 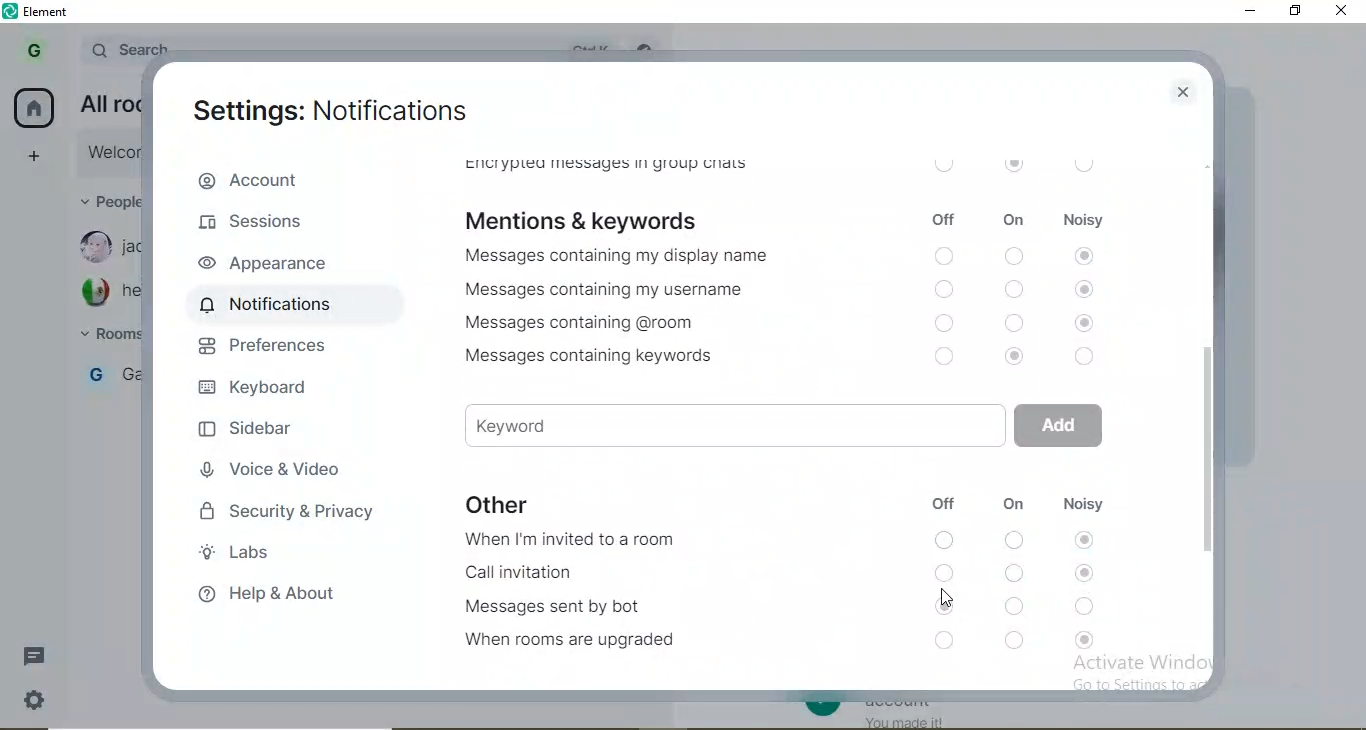 What do you see at coordinates (1090, 502) in the screenshot?
I see `noisy` at bounding box center [1090, 502].